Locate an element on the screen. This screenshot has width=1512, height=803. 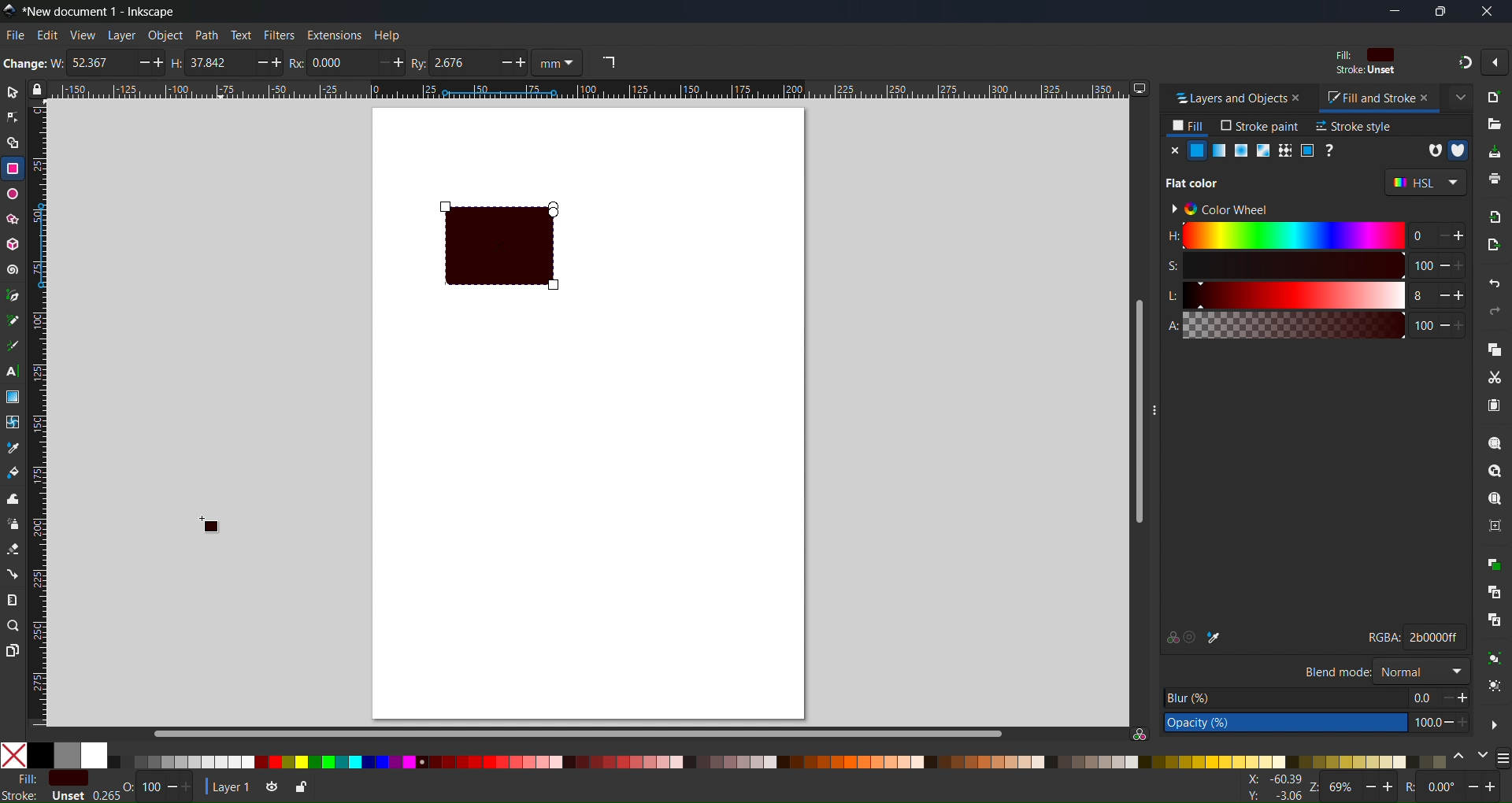
Z is located at coordinates (1314, 789).